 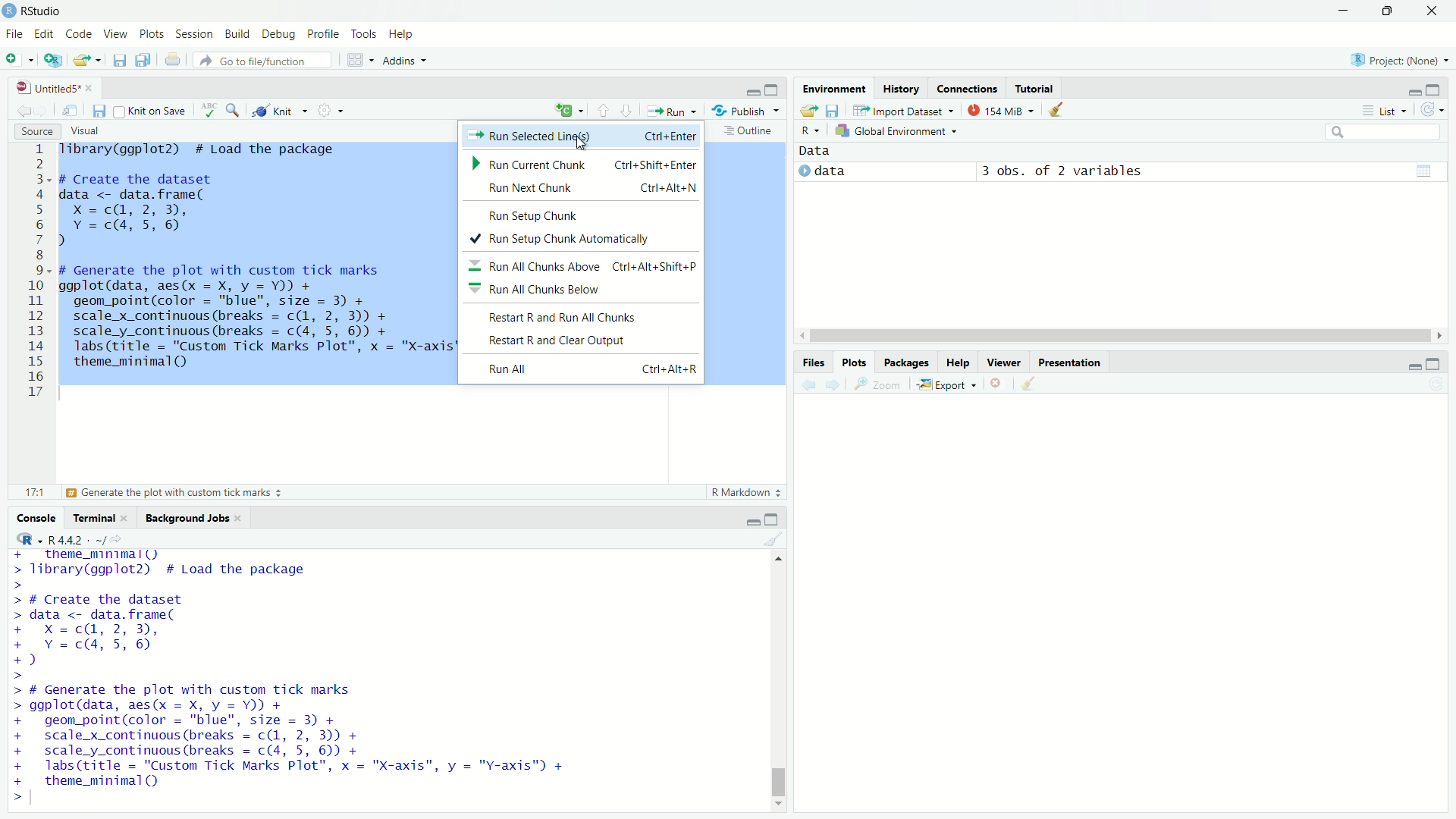 I want to click on 3 obs. of 2 variables, so click(x=1068, y=171).